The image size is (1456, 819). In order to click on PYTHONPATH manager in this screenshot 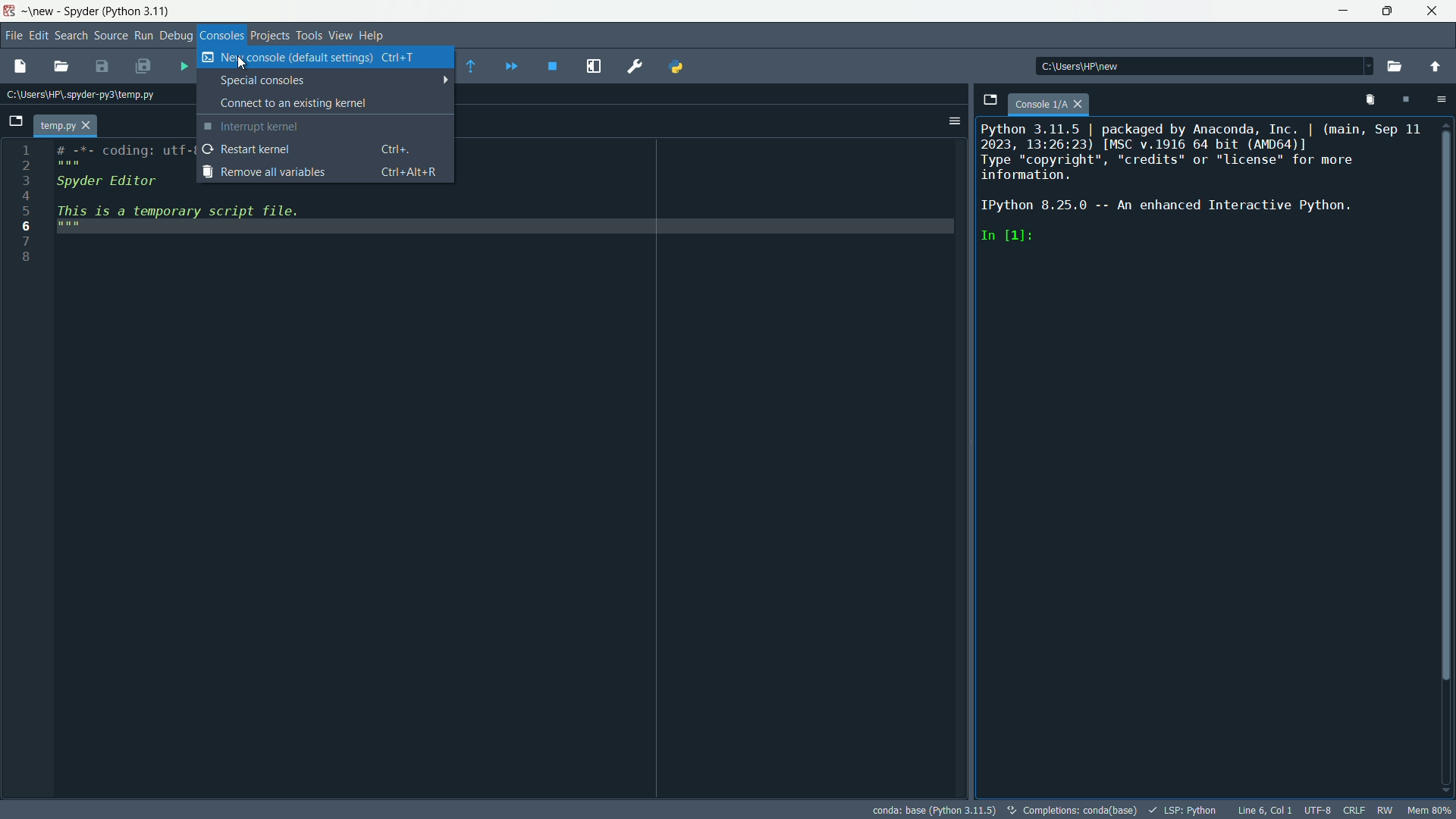, I will do `click(673, 64)`.